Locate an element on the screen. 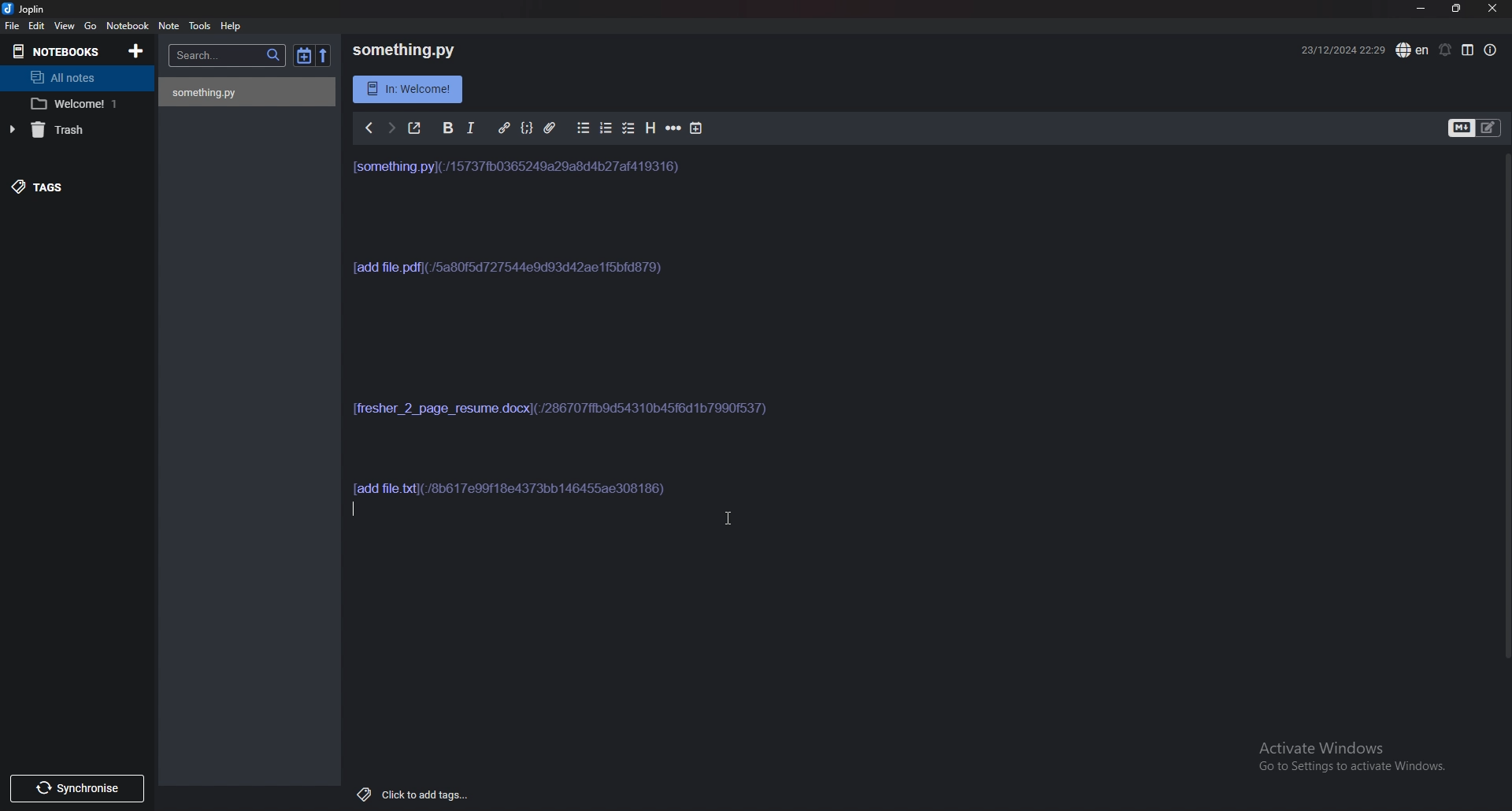  next is located at coordinates (391, 126).